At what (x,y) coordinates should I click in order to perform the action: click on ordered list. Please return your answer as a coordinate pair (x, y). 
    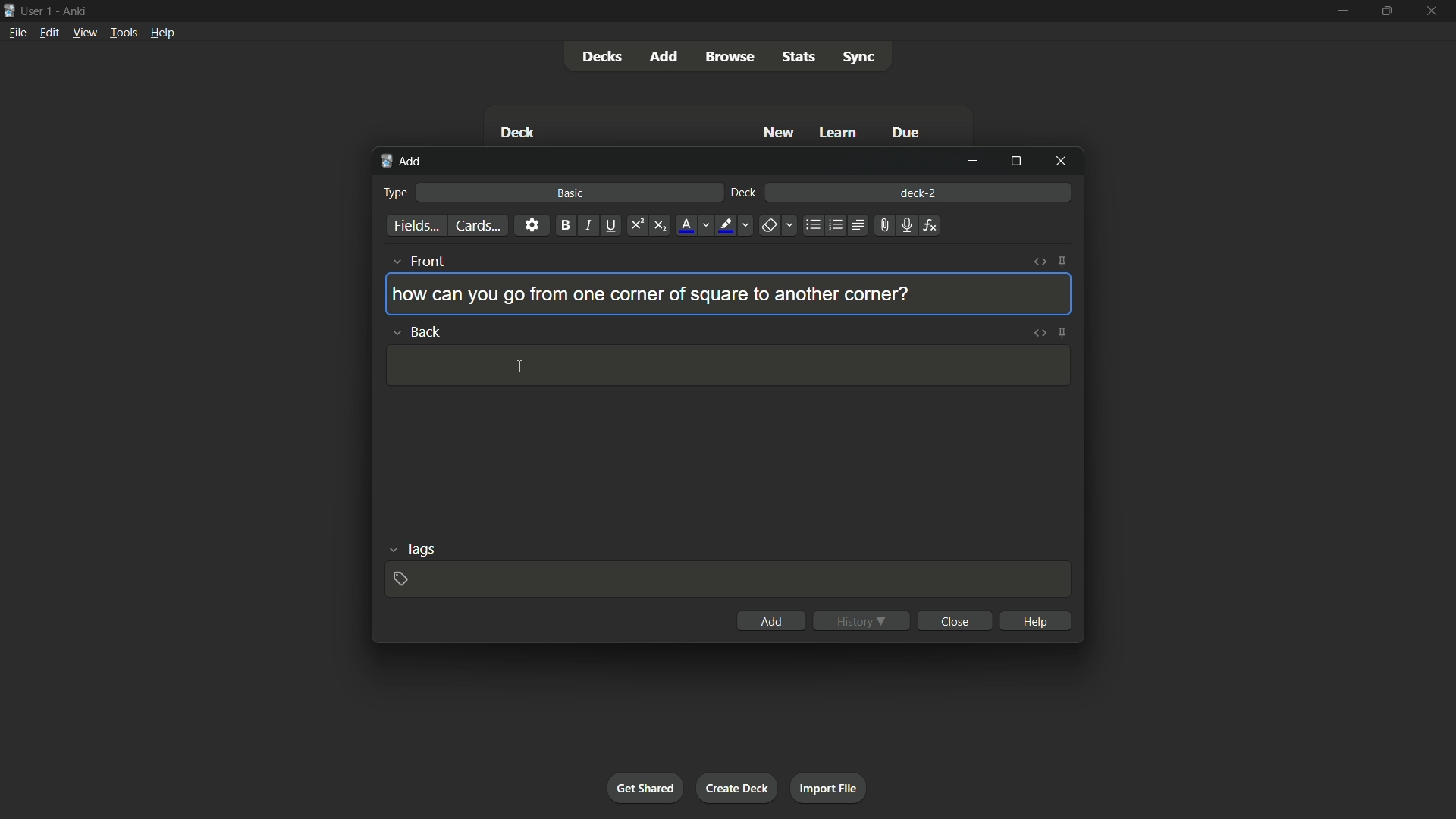
    Looking at the image, I should click on (833, 226).